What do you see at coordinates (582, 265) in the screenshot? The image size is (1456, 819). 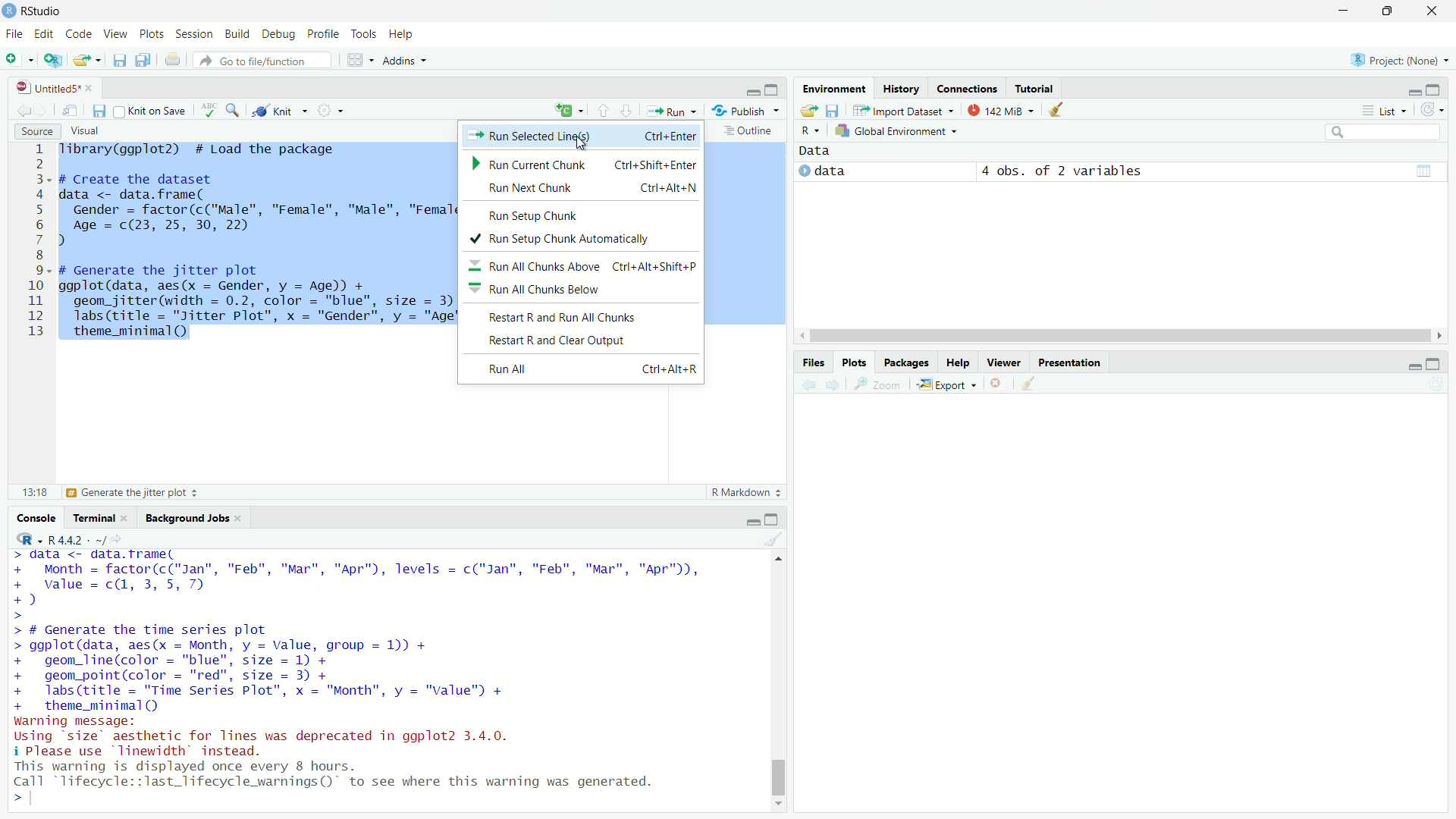 I see `Run All Chunks Above` at bounding box center [582, 265].